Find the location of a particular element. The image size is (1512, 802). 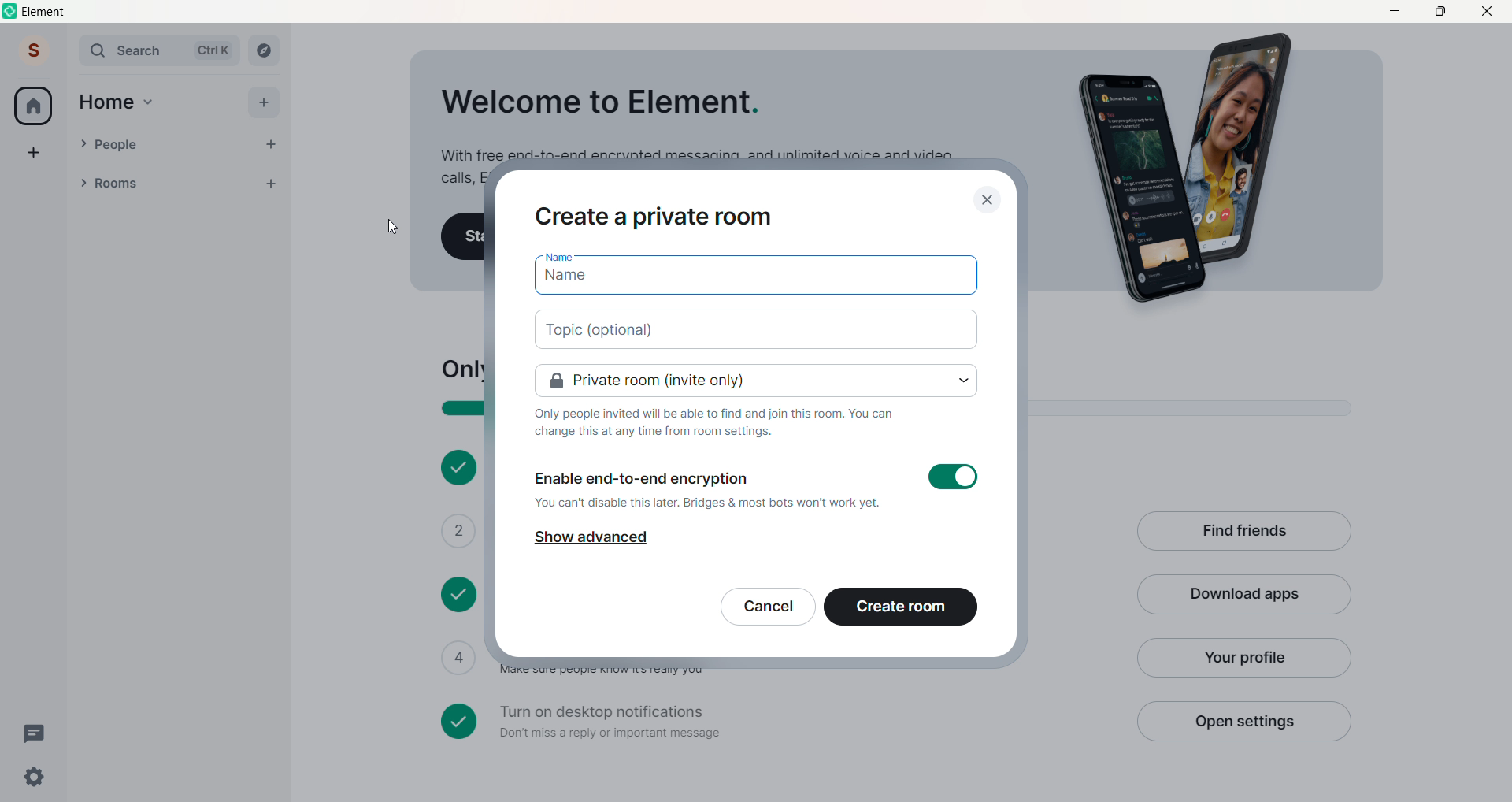

Open Settings is located at coordinates (1243, 721).